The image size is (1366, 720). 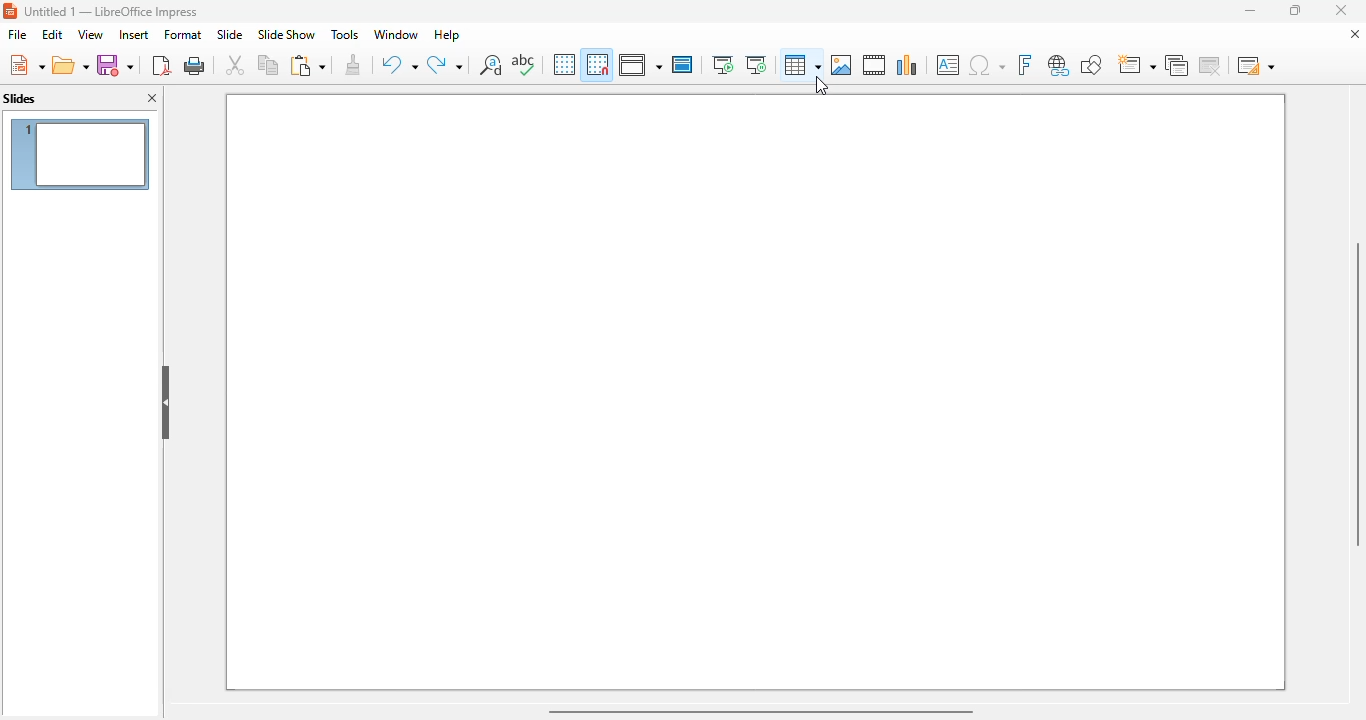 What do you see at coordinates (1093, 64) in the screenshot?
I see `show draw functions` at bounding box center [1093, 64].